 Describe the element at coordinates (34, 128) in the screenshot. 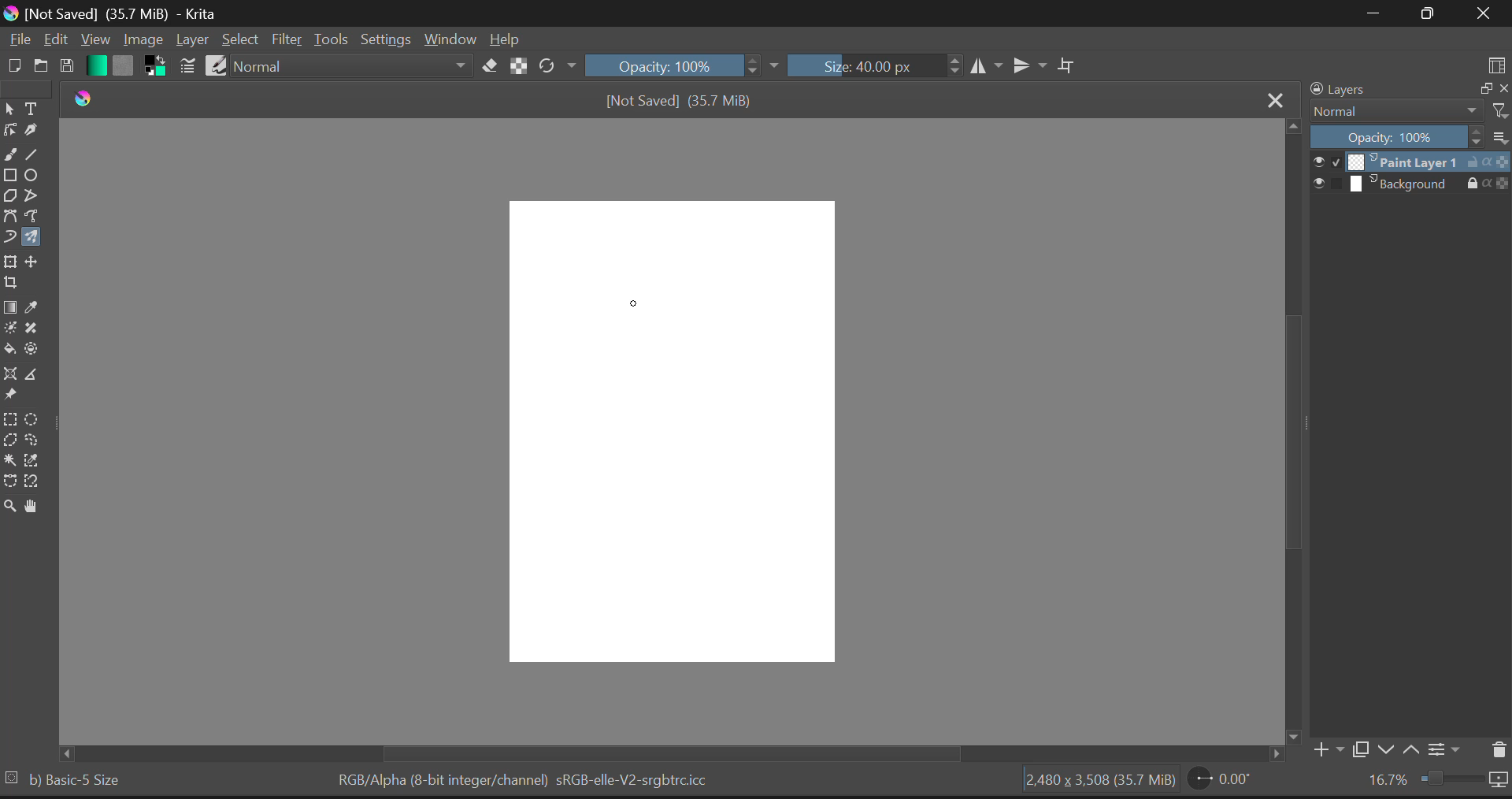

I see `Calligraphic Tool` at that location.